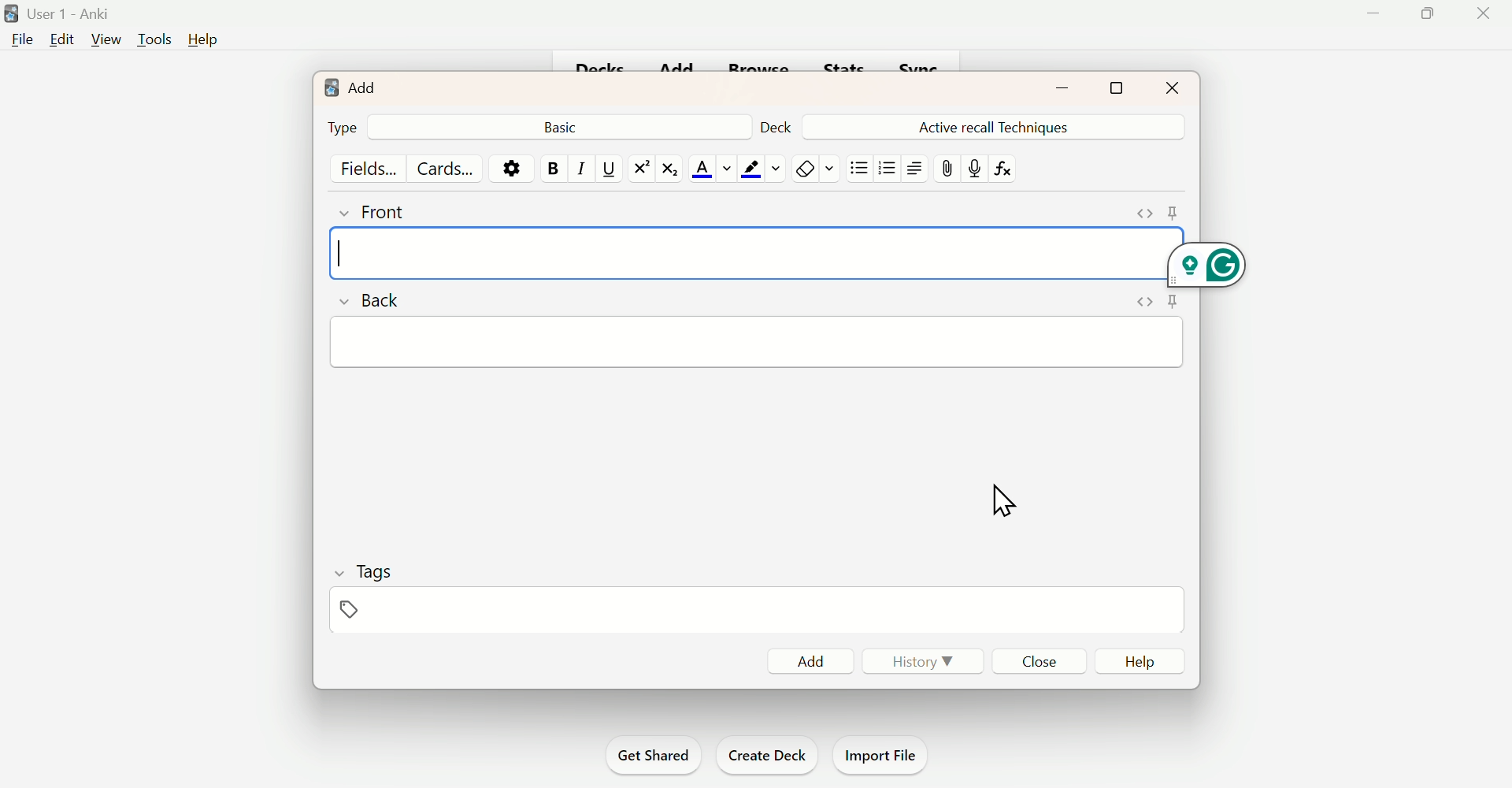 Image resolution: width=1512 pixels, height=788 pixels. I want to click on Fields..., so click(368, 167).